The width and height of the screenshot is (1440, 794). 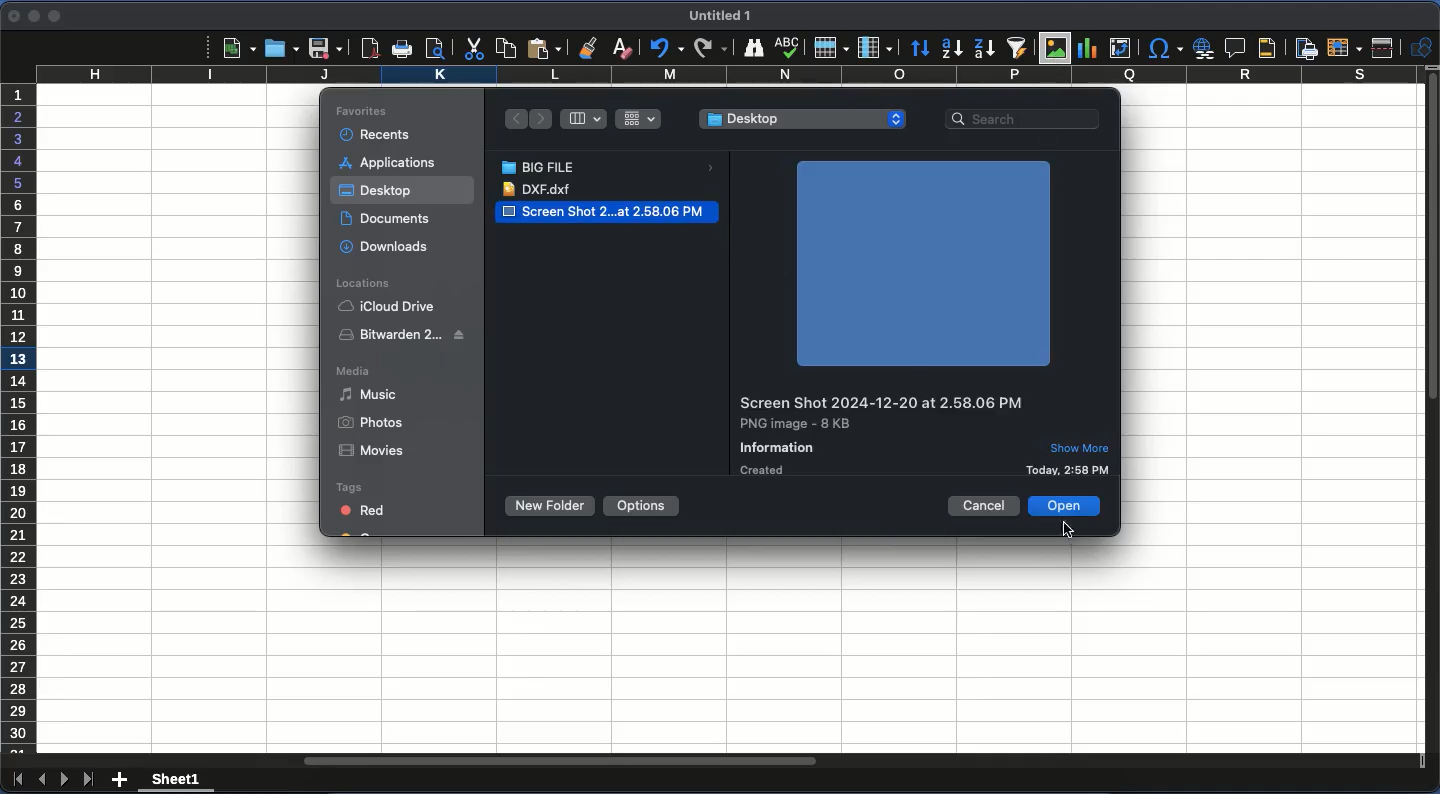 What do you see at coordinates (1075, 469) in the screenshot?
I see `details` at bounding box center [1075, 469].